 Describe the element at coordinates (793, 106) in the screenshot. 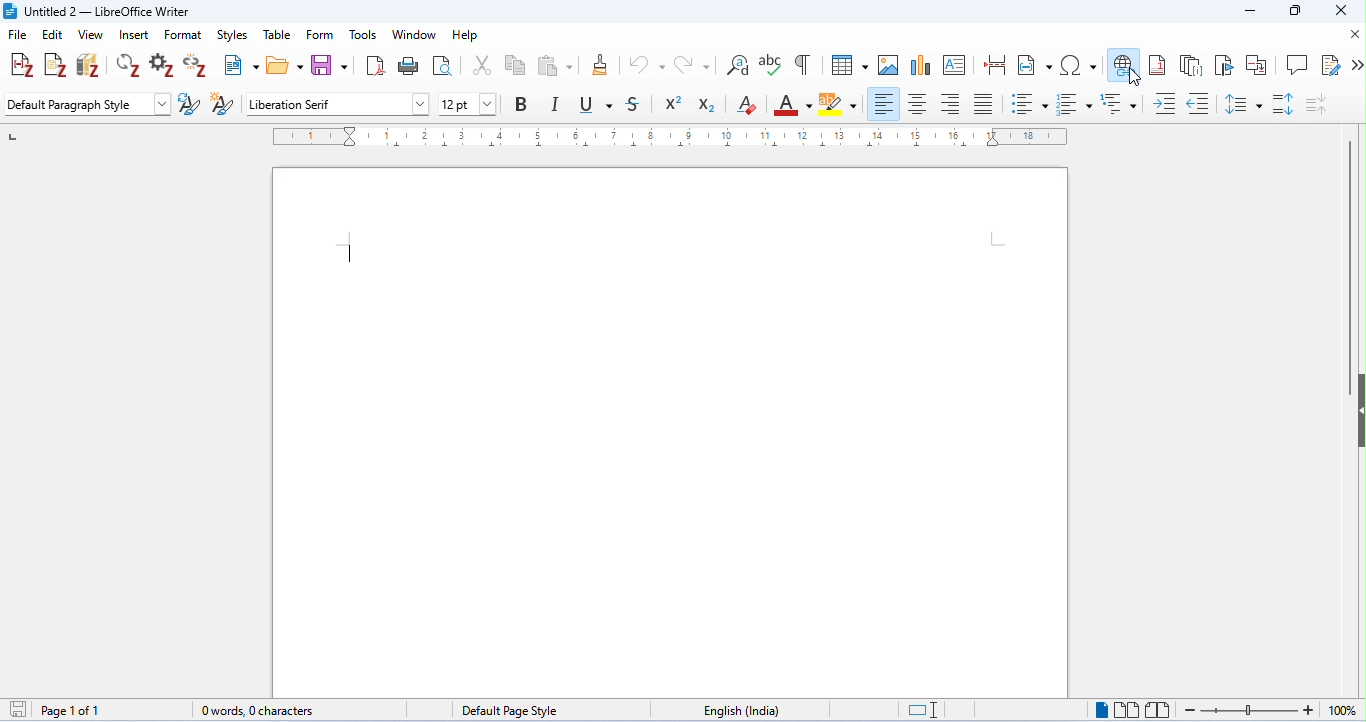

I see `font color` at that location.